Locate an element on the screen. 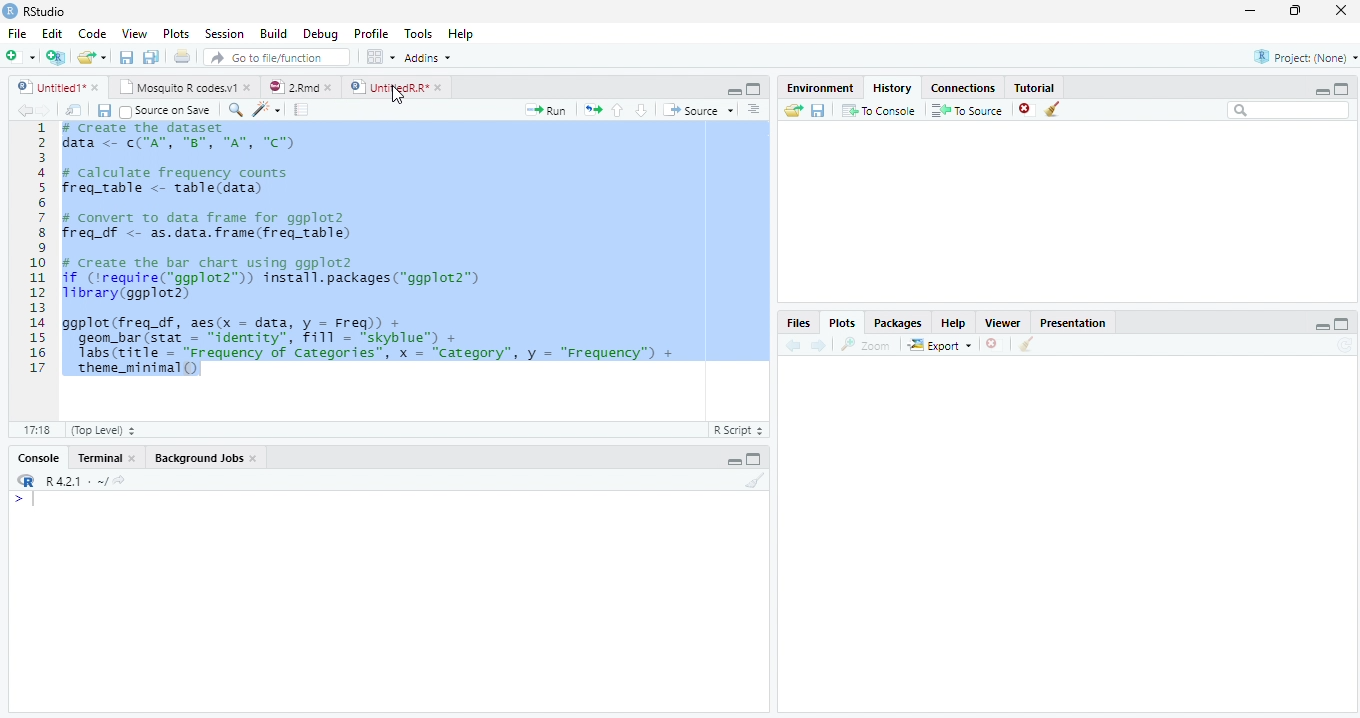 This screenshot has width=1360, height=718. Viewer is located at coordinates (1008, 324).